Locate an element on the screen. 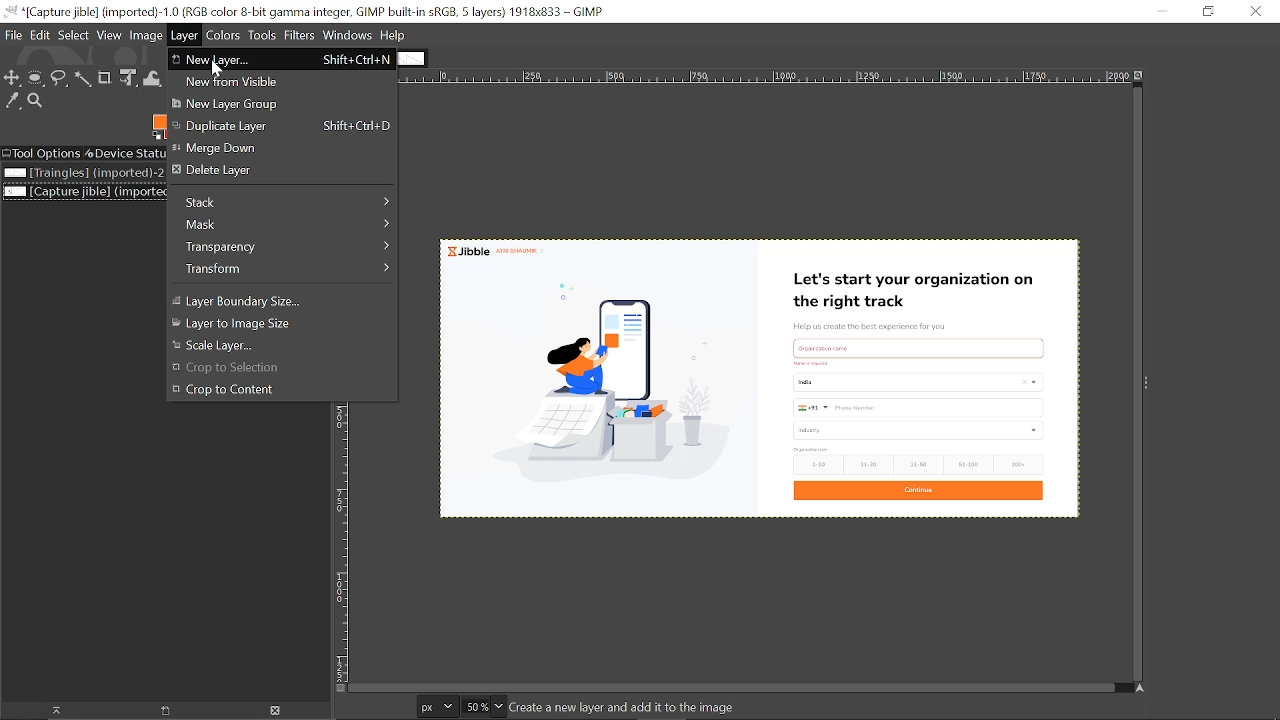  Help is located at coordinates (392, 36).